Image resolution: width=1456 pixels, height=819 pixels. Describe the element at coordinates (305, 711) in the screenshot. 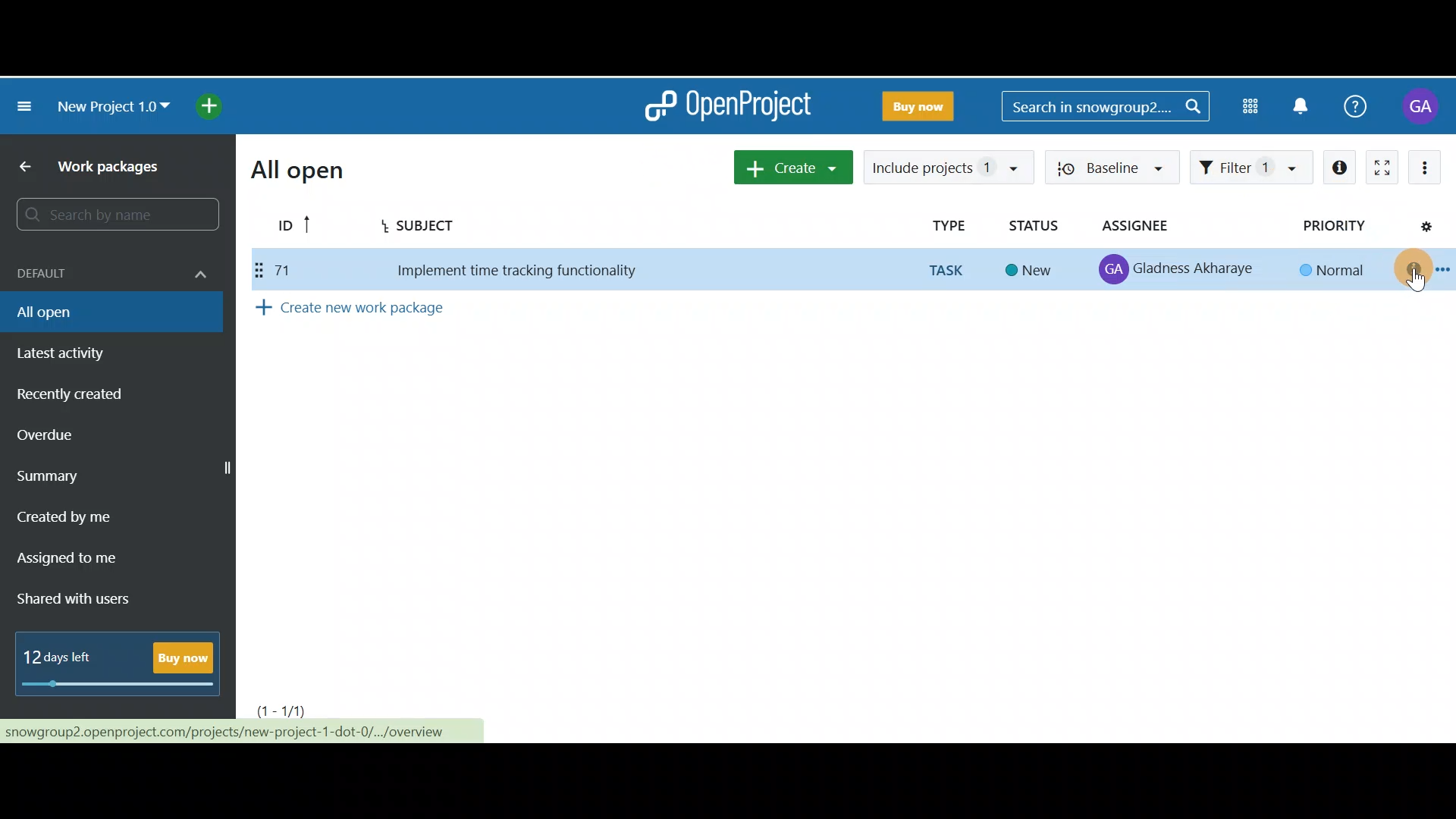

I see `Page number` at that location.